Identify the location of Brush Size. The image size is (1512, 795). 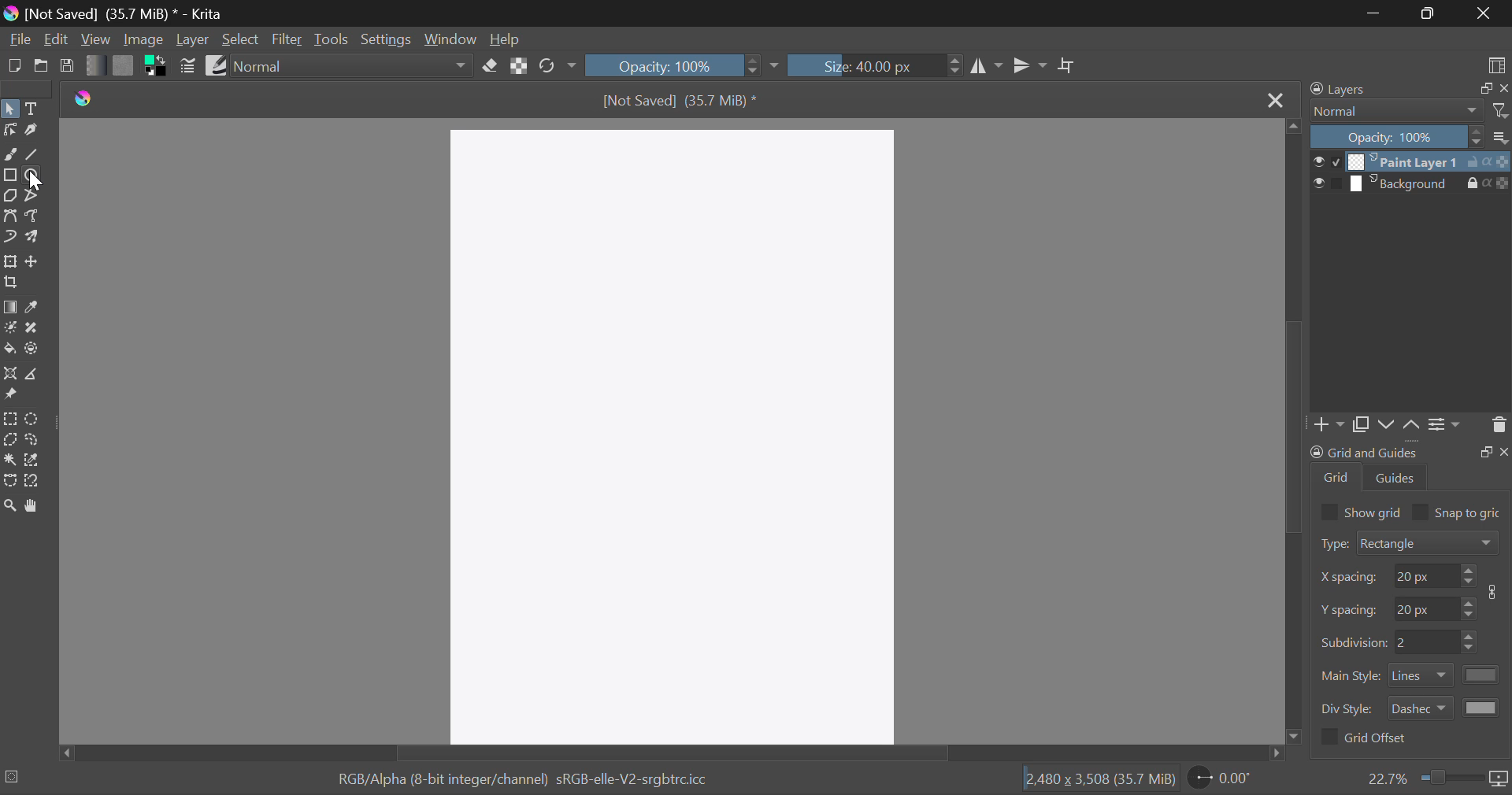
(873, 65).